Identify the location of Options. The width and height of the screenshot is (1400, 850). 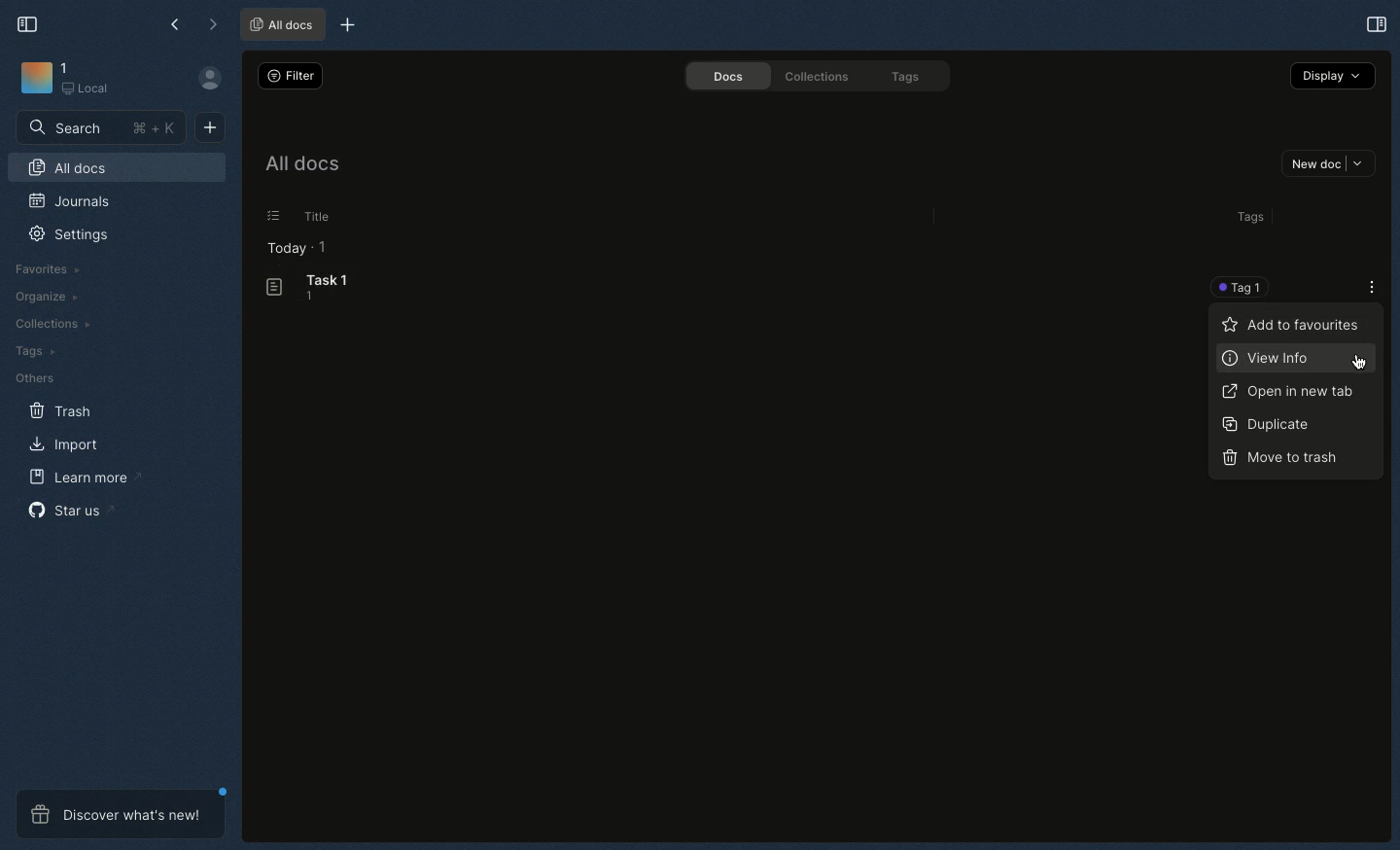
(273, 218).